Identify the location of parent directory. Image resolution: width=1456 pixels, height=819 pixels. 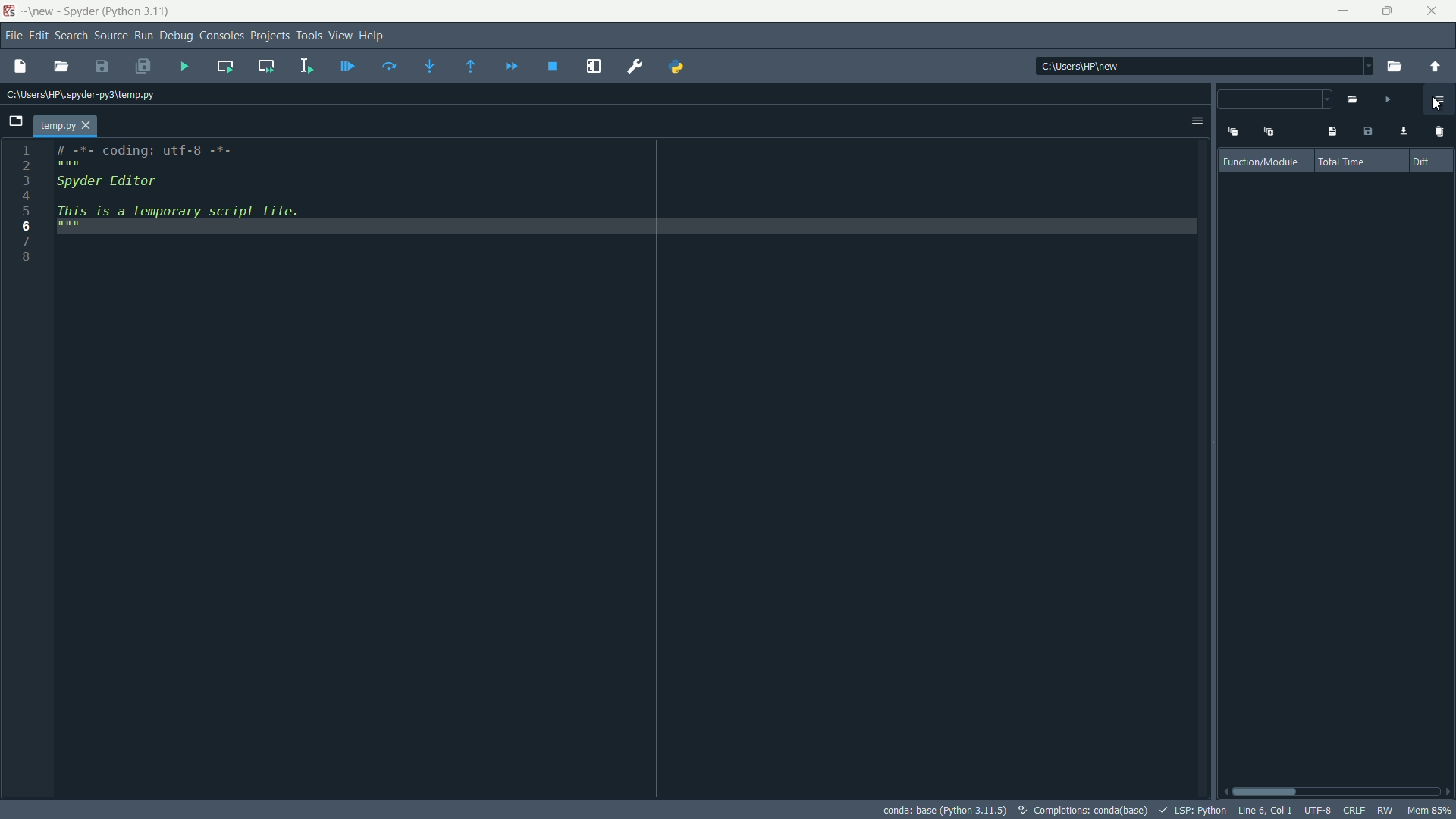
(1435, 65).